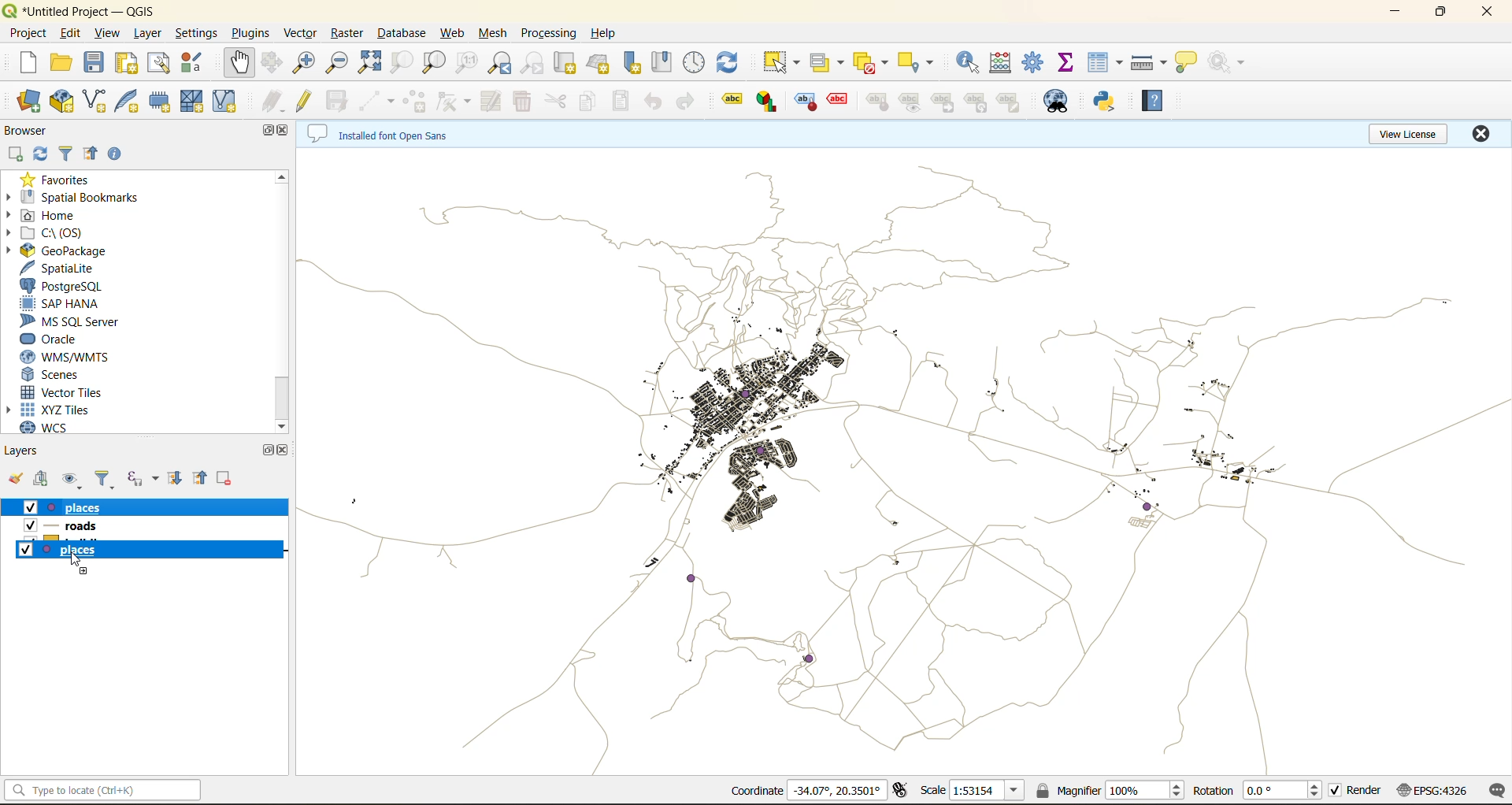 The image size is (1512, 805). Describe the element at coordinates (24, 63) in the screenshot. I see `new` at that location.